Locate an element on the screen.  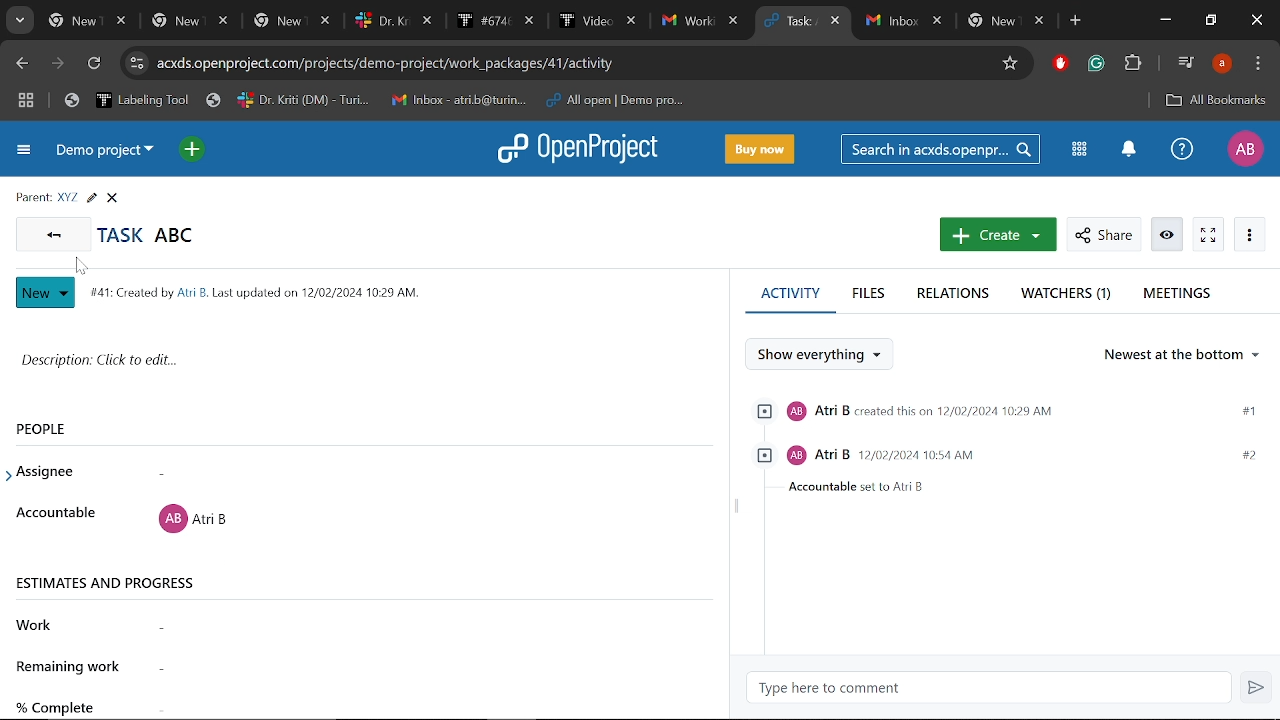
Control your music, videos and more is located at coordinates (1184, 63).